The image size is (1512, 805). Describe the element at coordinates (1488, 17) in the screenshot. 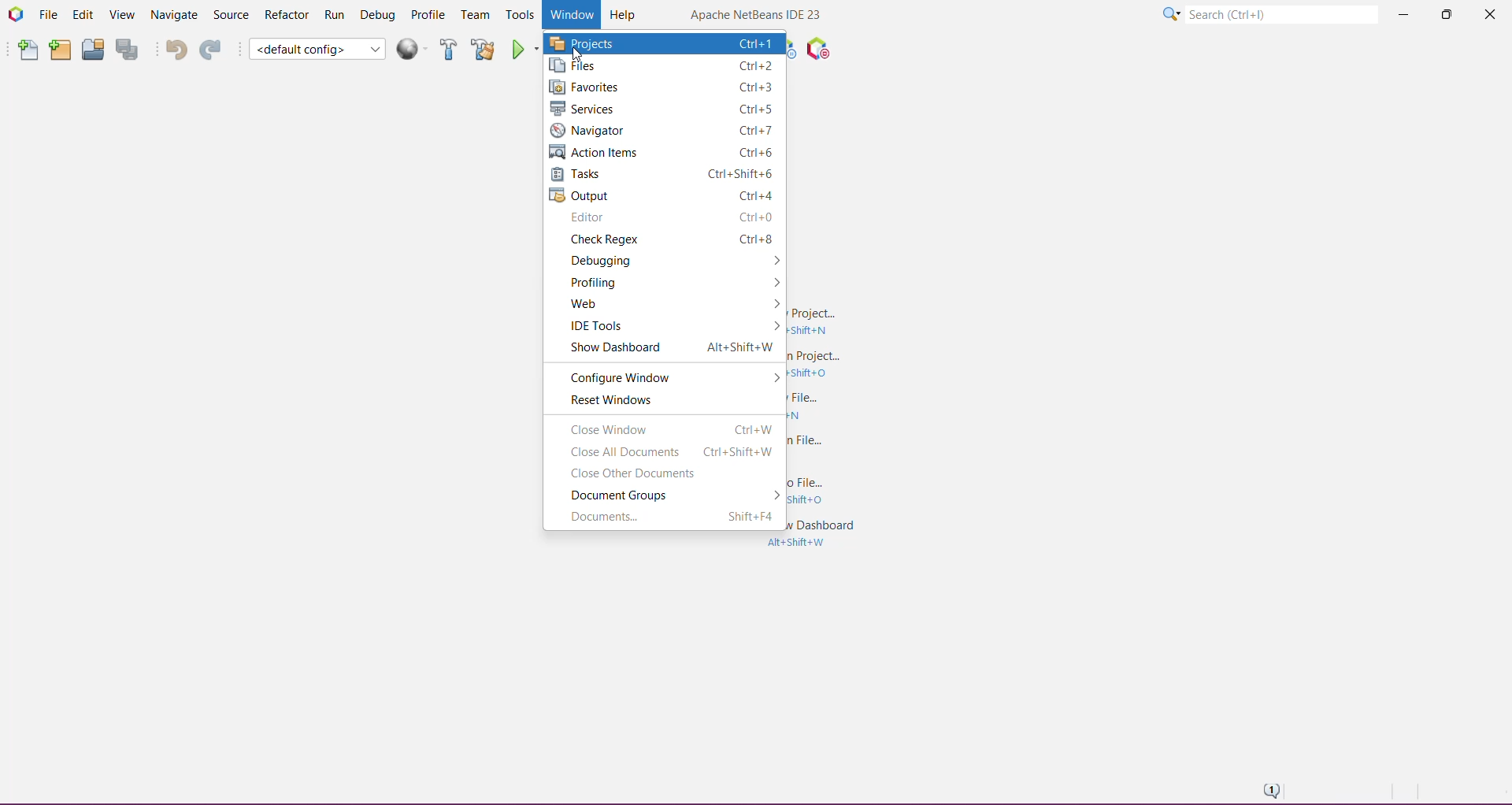

I see `Close` at that location.